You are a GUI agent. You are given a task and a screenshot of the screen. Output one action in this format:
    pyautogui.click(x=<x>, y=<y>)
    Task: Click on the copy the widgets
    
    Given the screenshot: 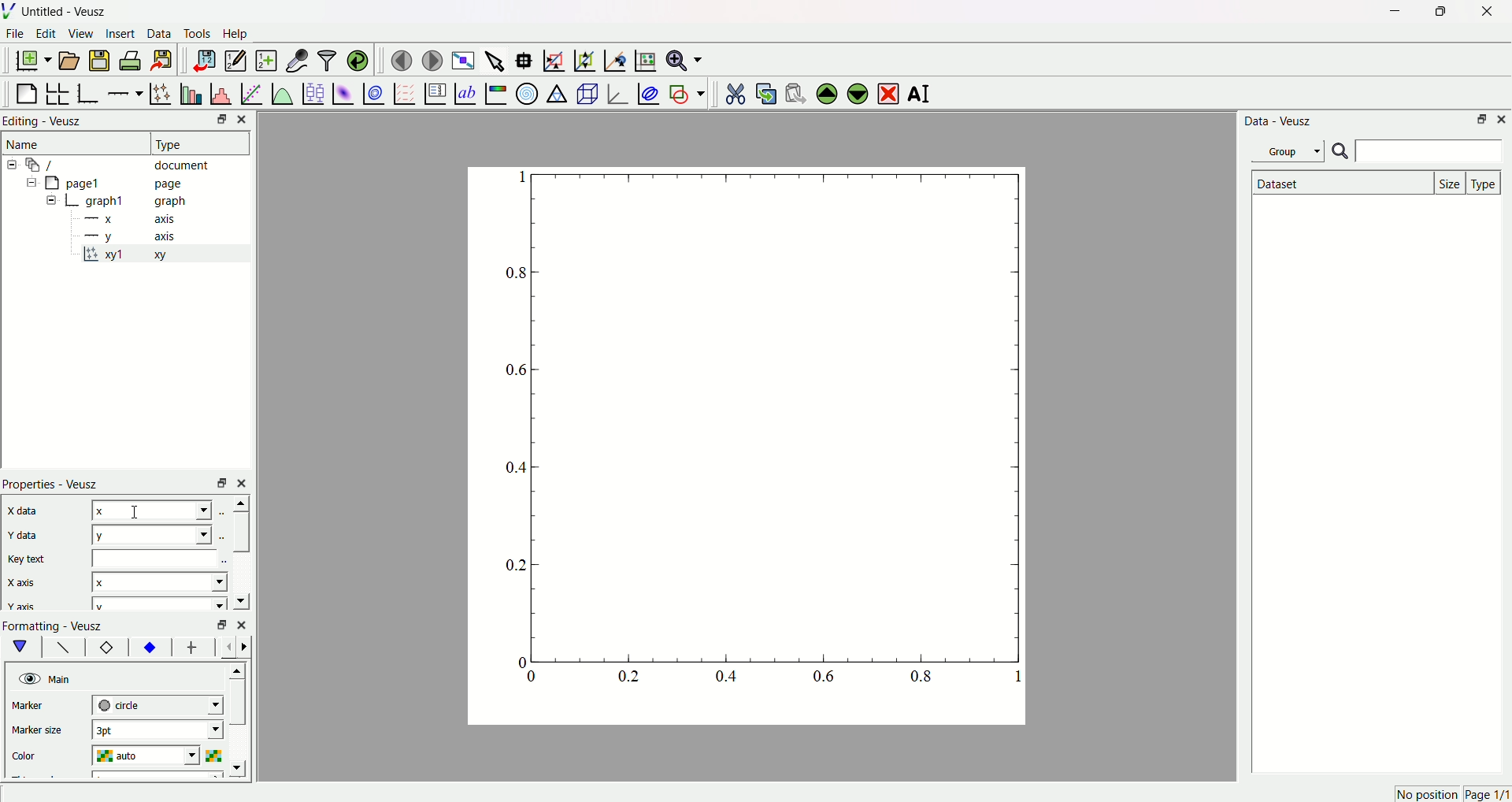 What is the action you would take?
    pyautogui.click(x=765, y=91)
    